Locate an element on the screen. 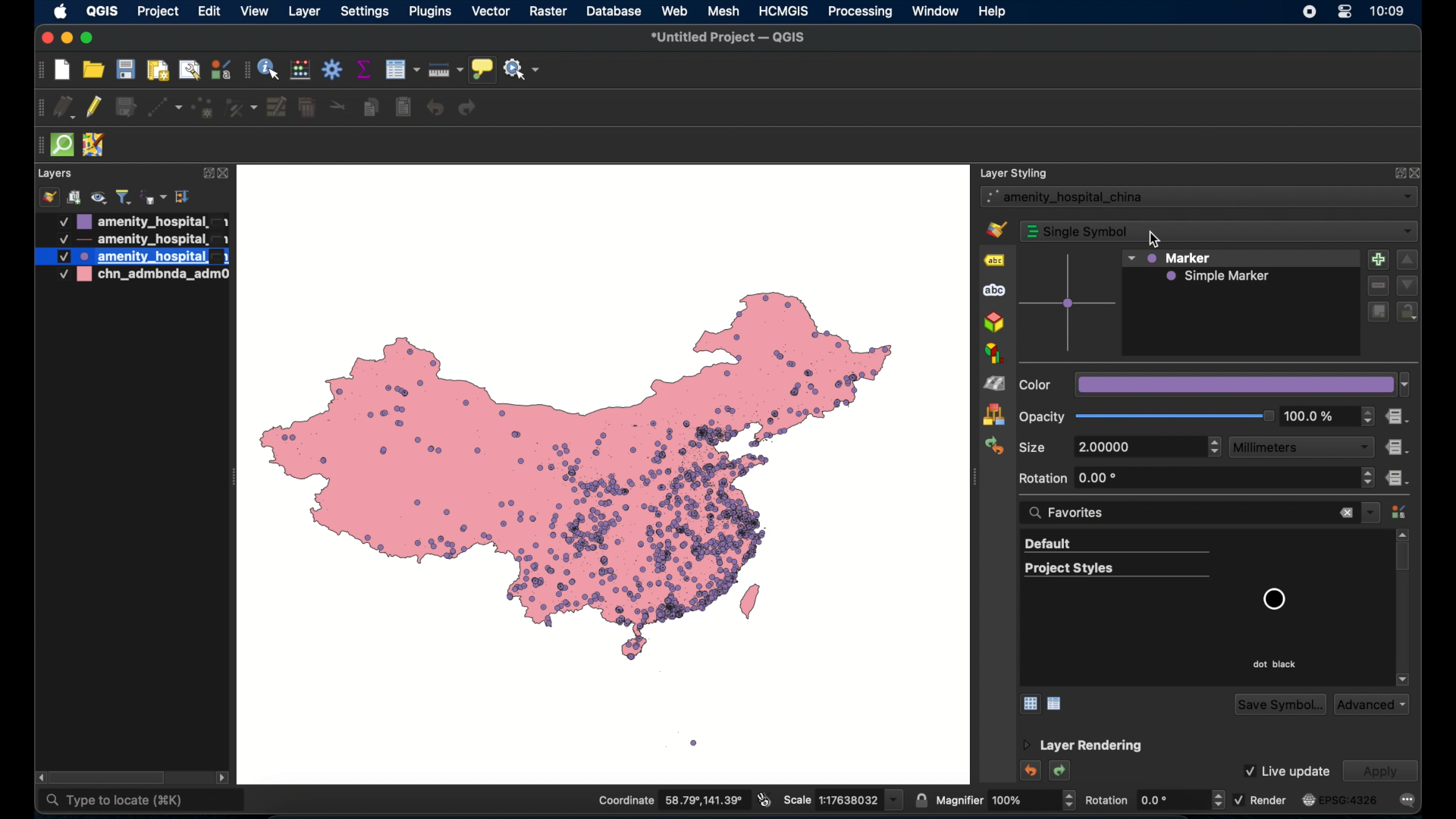 The height and width of the screenshot is (819, 1456). add point feature is located at coordinates (205, 108).